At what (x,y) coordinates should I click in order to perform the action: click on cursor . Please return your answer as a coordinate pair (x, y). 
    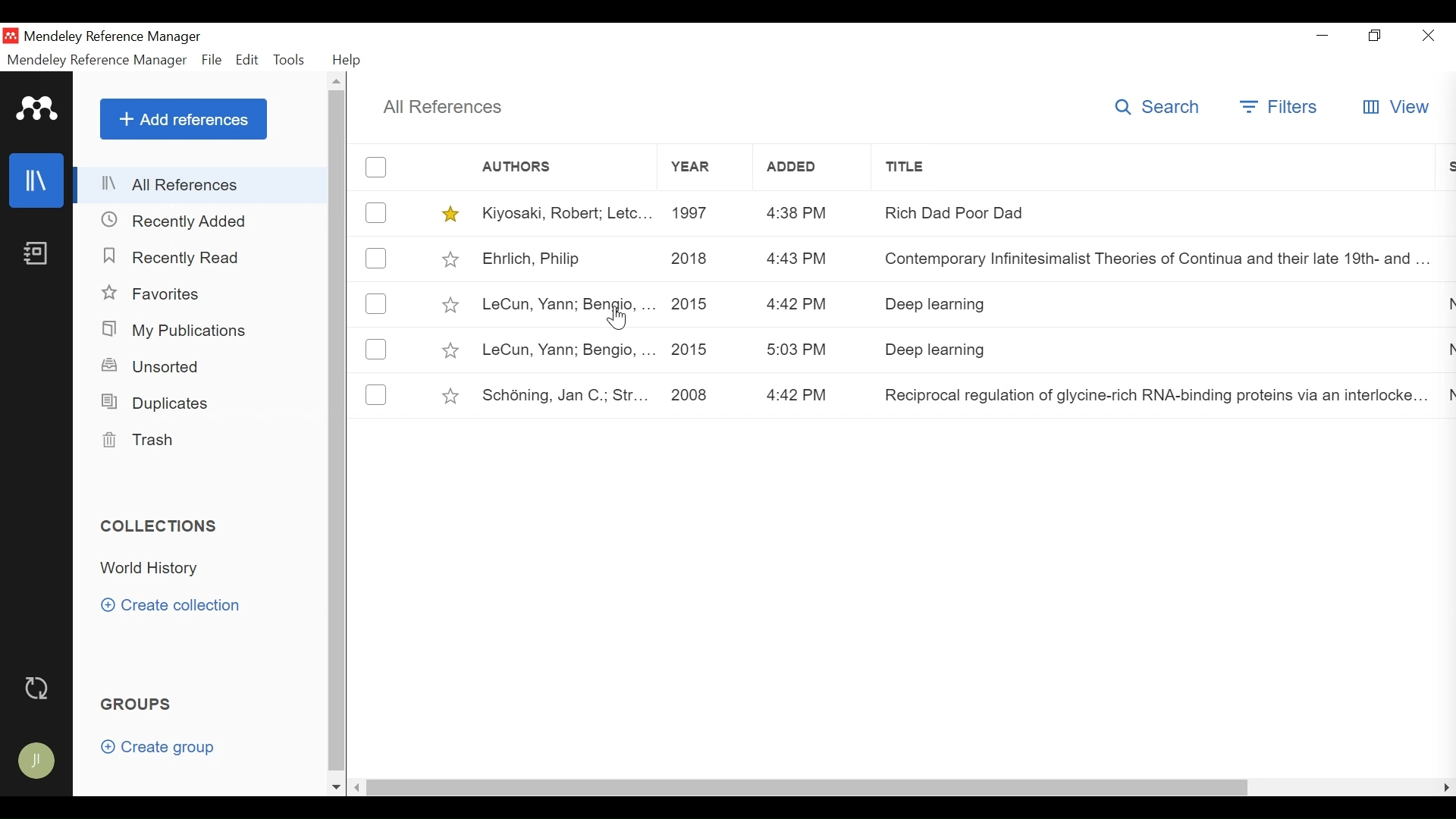
    Looking at the image, I should click on (620, 318).